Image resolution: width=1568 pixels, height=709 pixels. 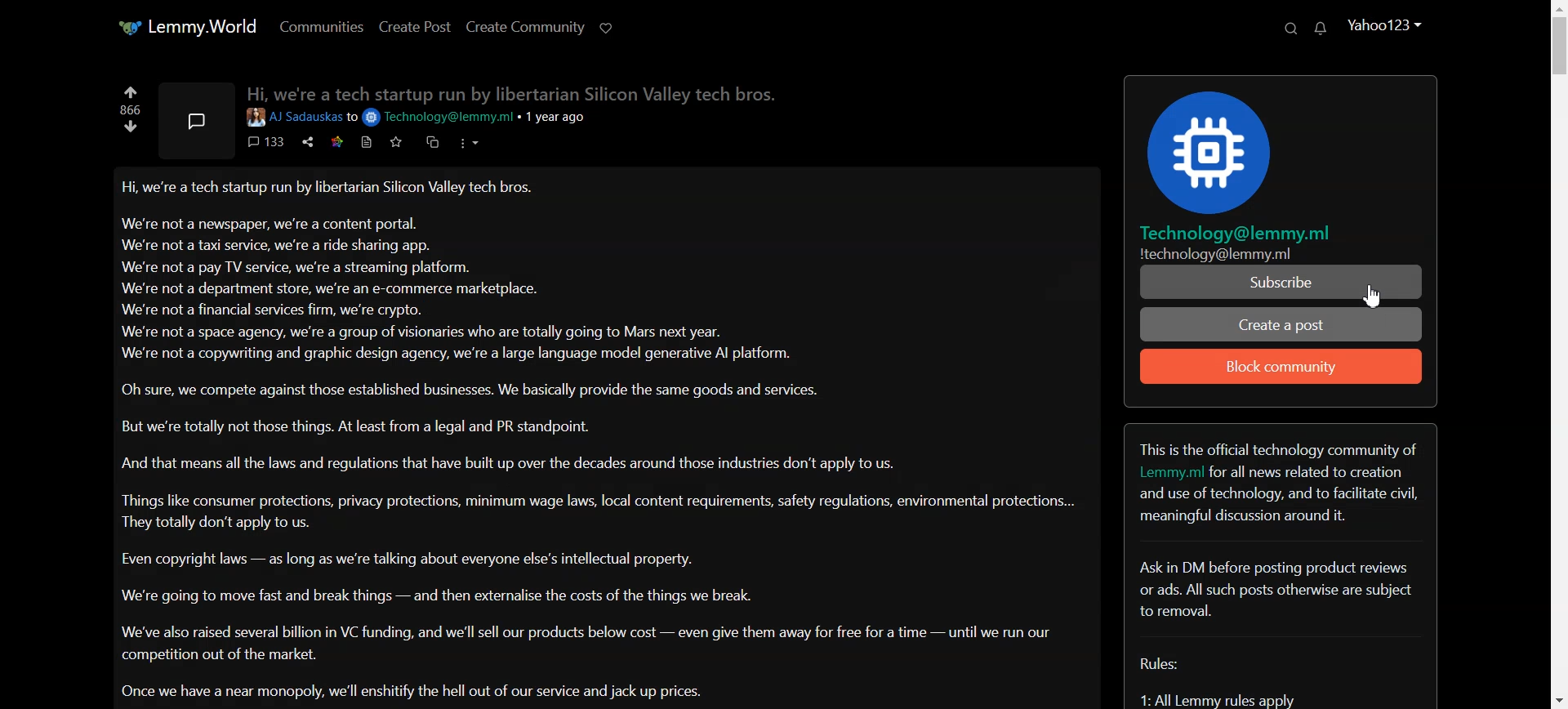 What do you see at coordinates (194, 117) in the screenshot?
I see `Message symbol` at bounding box center [194, 117].